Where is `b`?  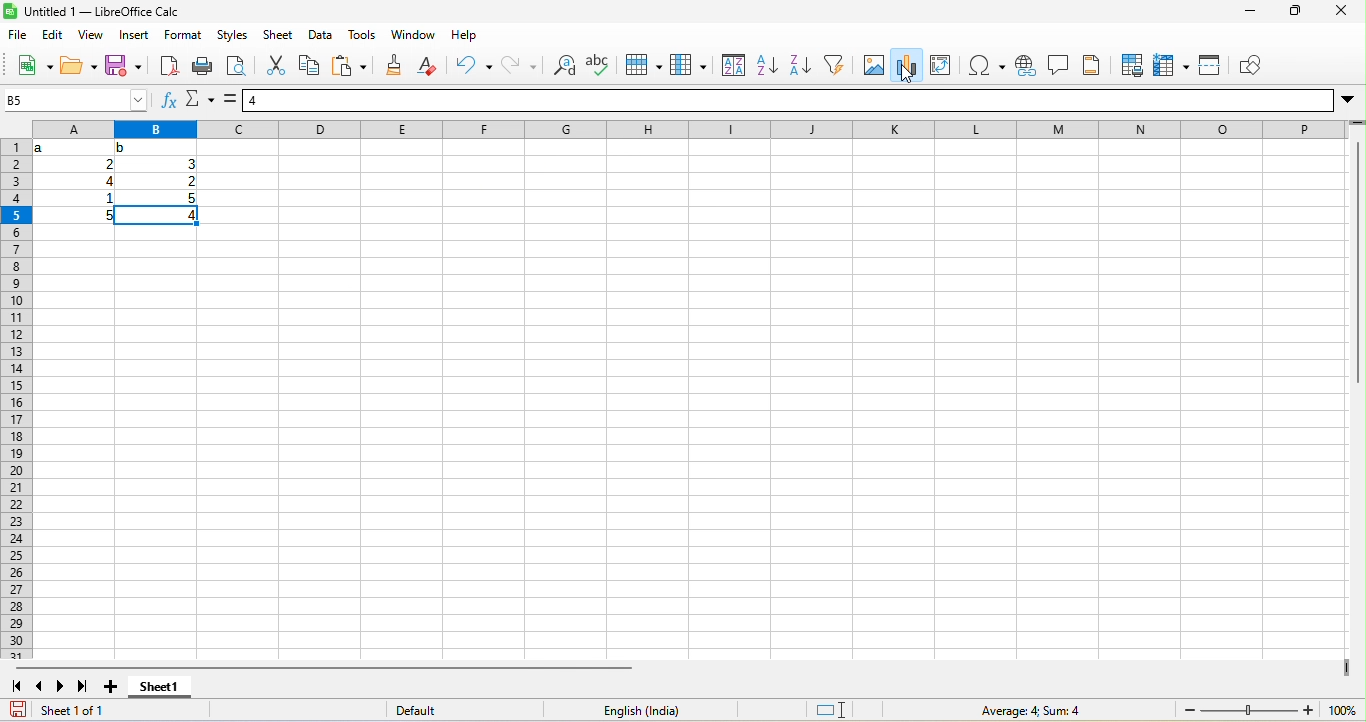 b is located at coordinates (123, 148).